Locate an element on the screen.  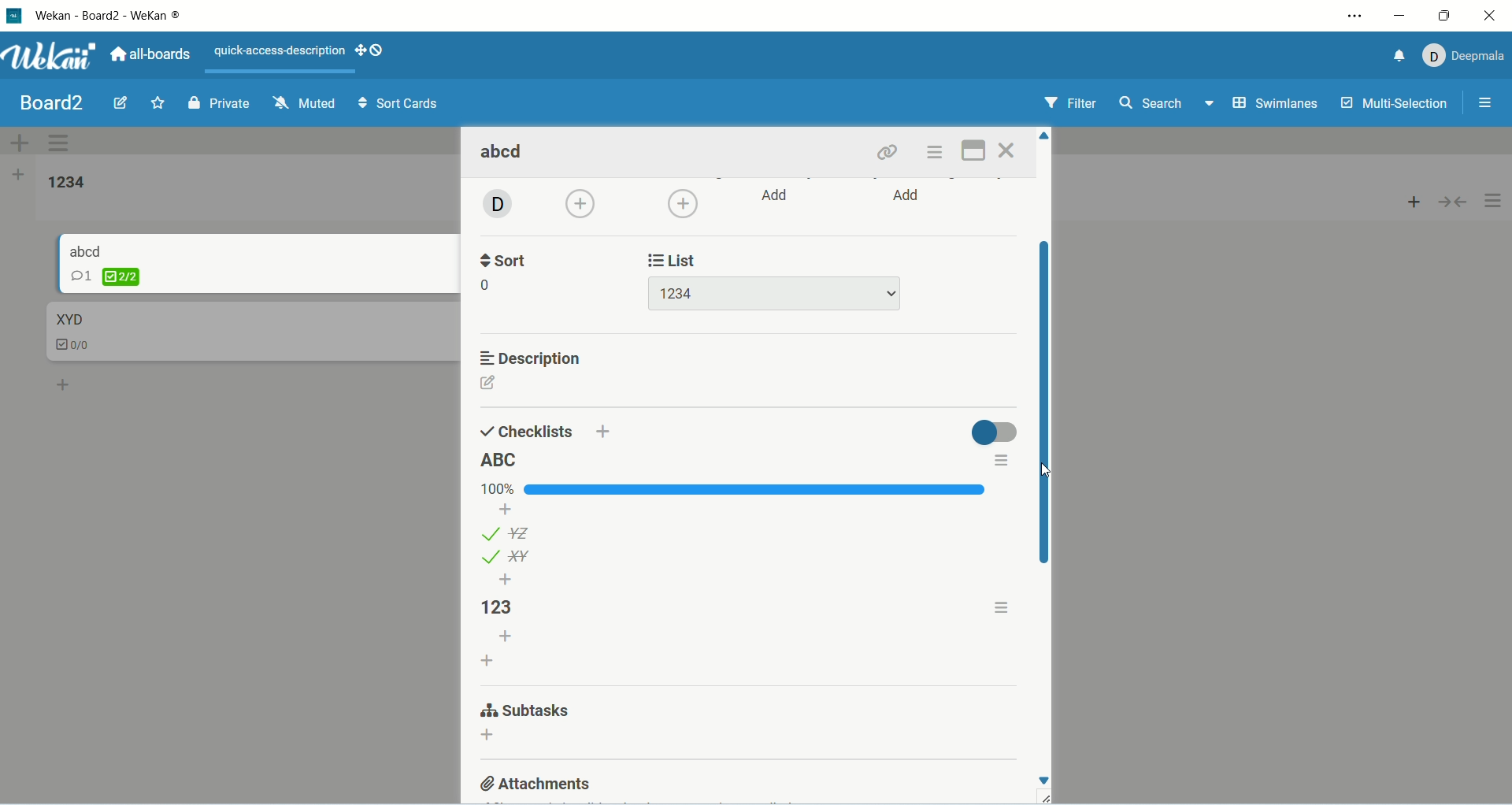
multi-selection is located at coordinates (1396, 106).